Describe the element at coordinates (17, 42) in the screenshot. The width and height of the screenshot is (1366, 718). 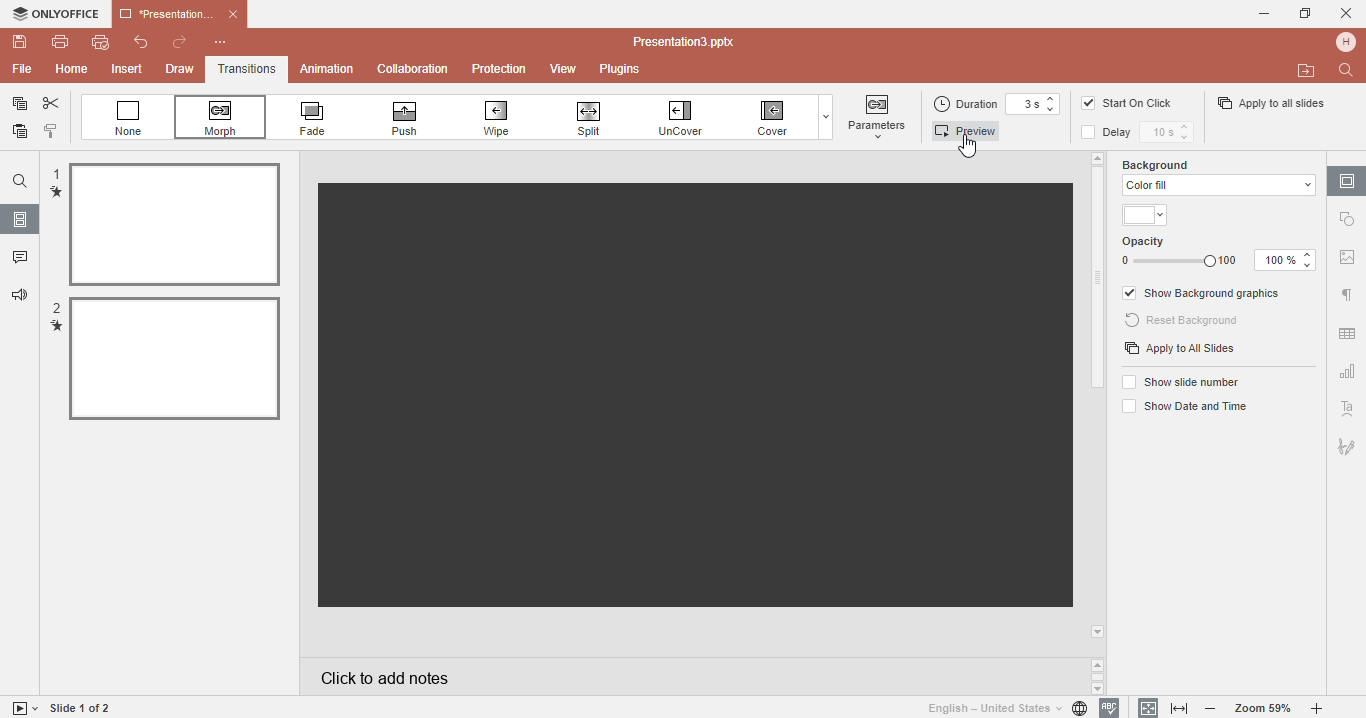
I see `Save` at that location.